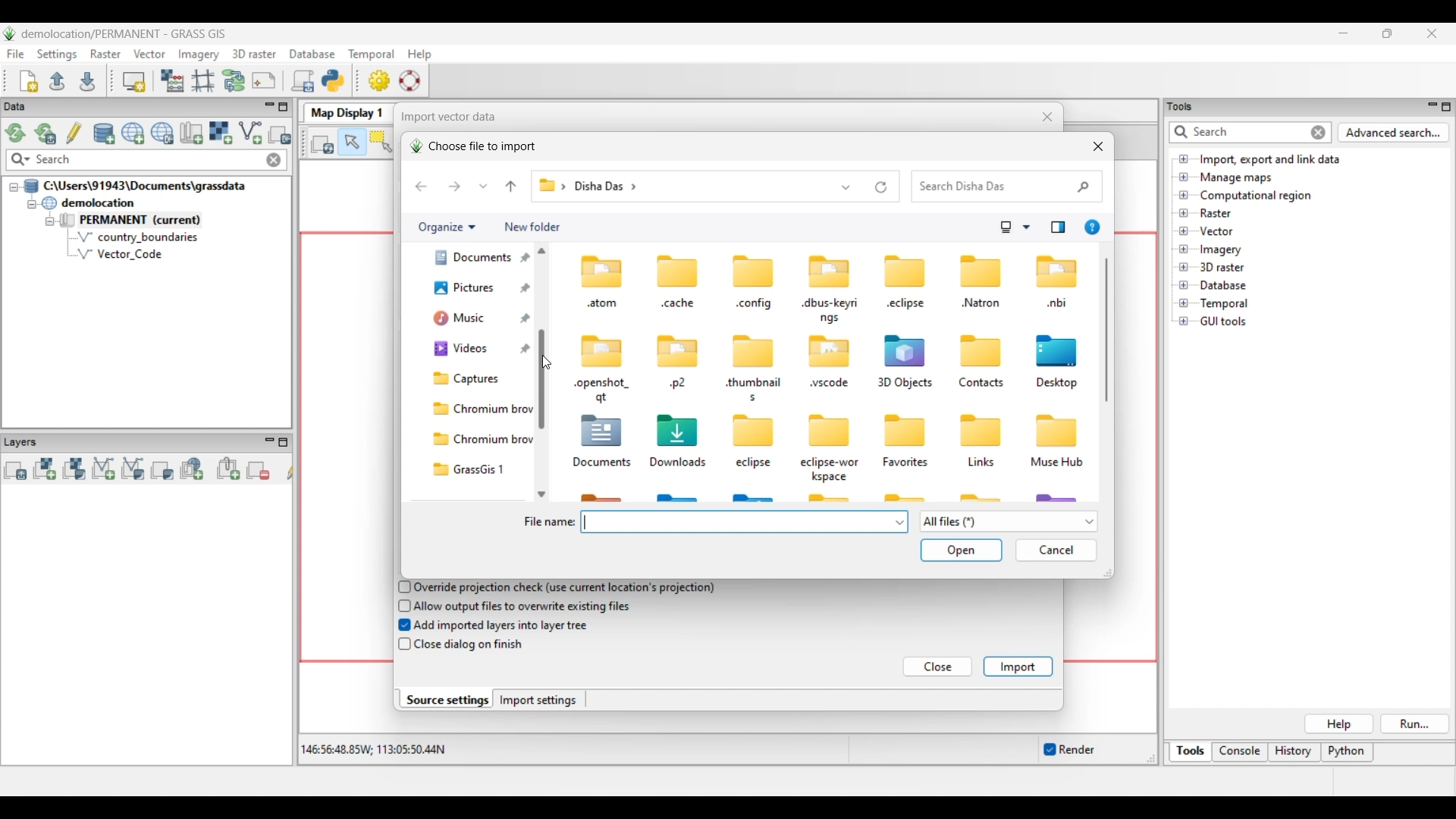  What do you see at coordinates (830, 352) in the screenshot?
I see `icon` at bounding box center [830, 352].